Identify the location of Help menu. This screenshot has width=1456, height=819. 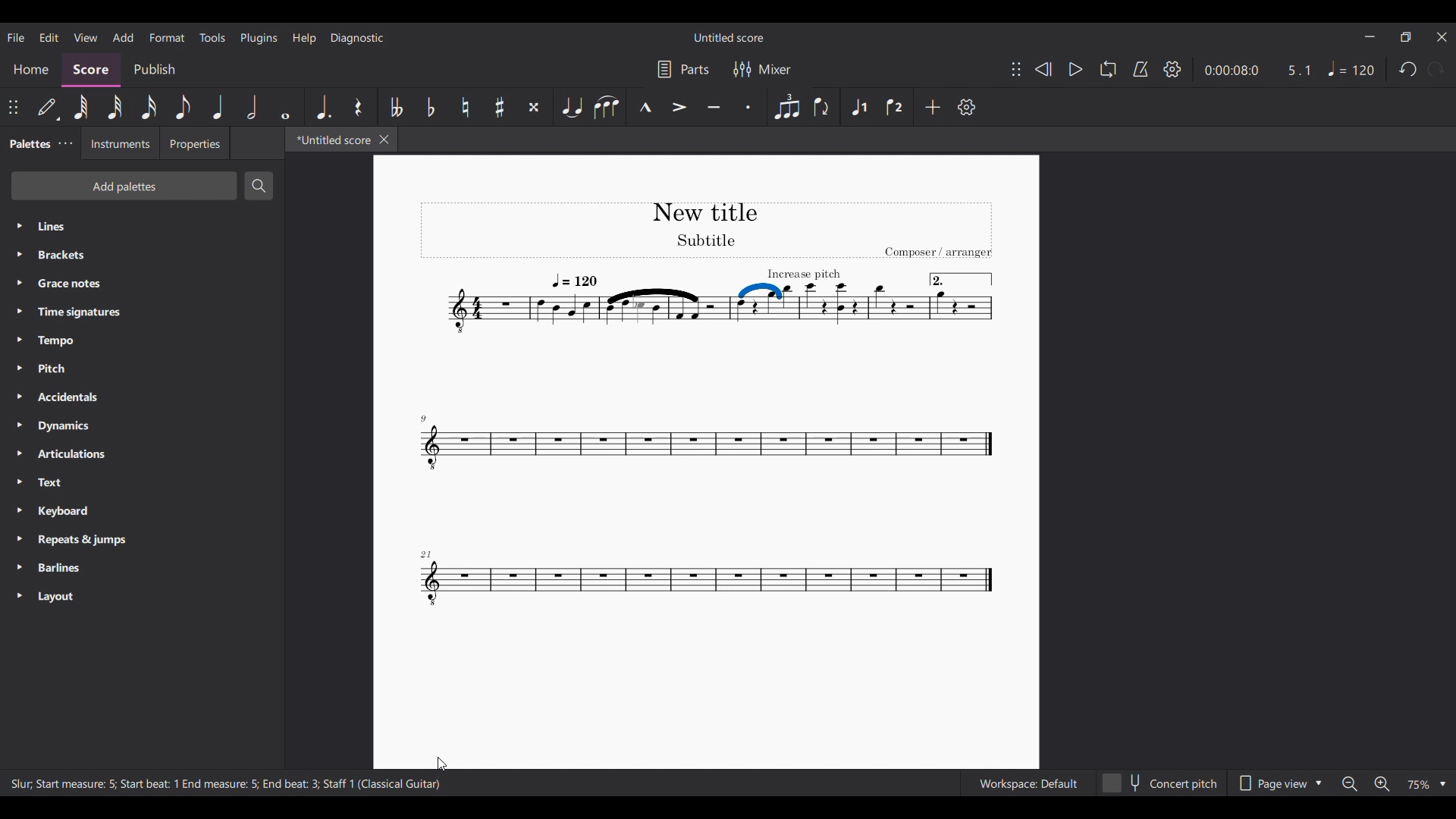
(305, 39).